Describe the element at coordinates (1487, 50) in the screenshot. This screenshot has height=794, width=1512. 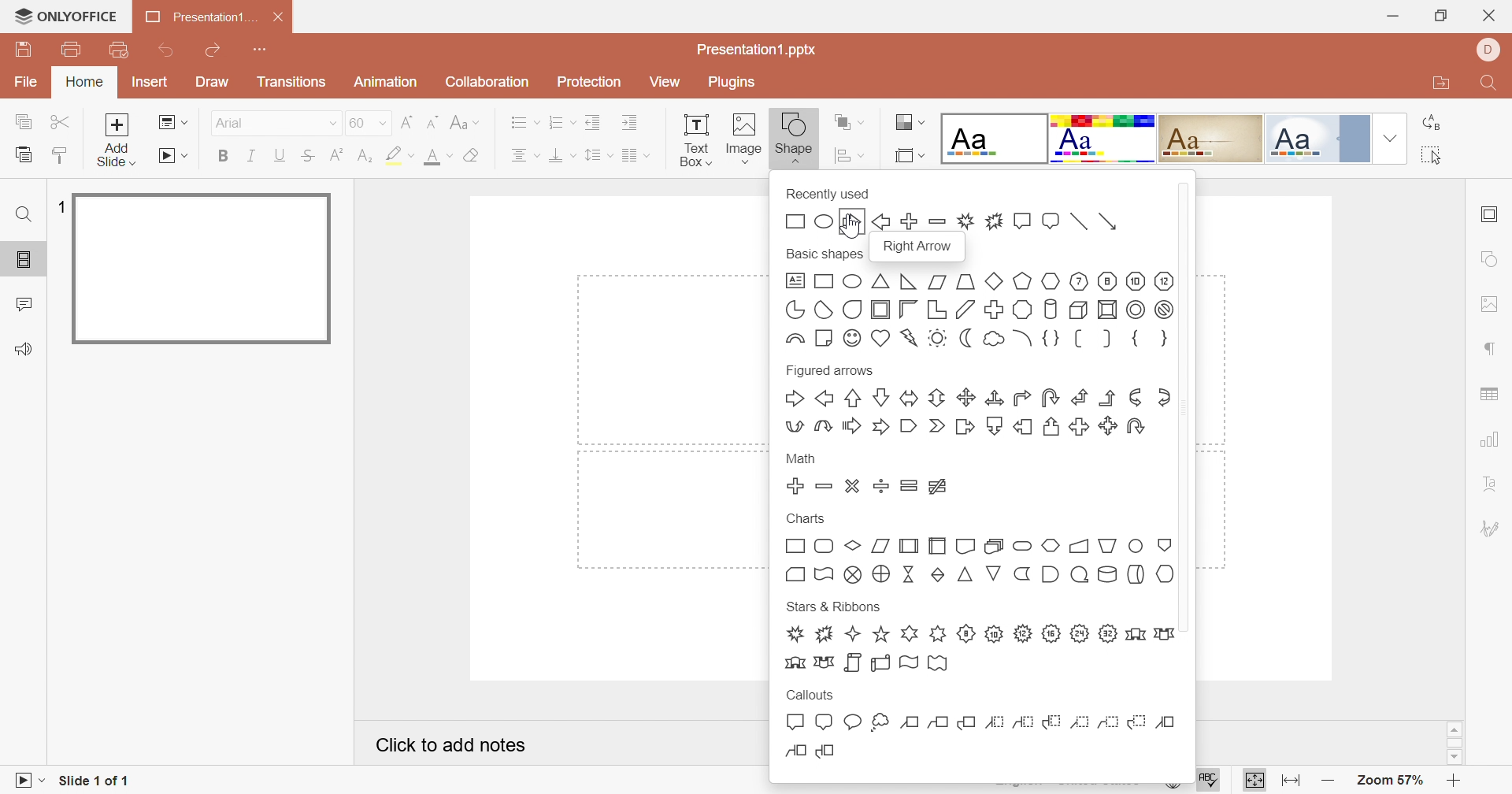
I see `DELL` at that location.